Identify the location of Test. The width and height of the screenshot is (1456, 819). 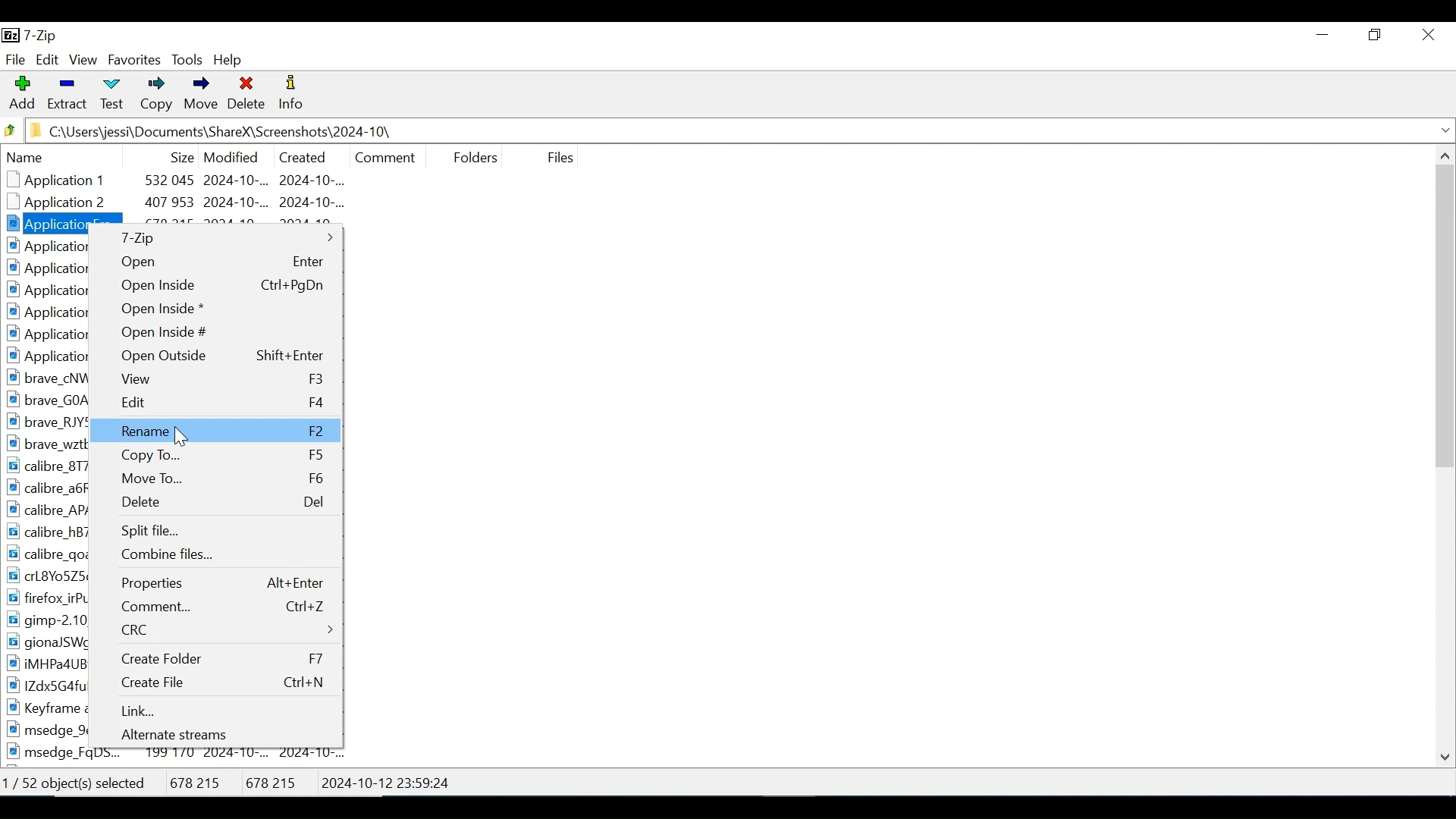
(110, 96).